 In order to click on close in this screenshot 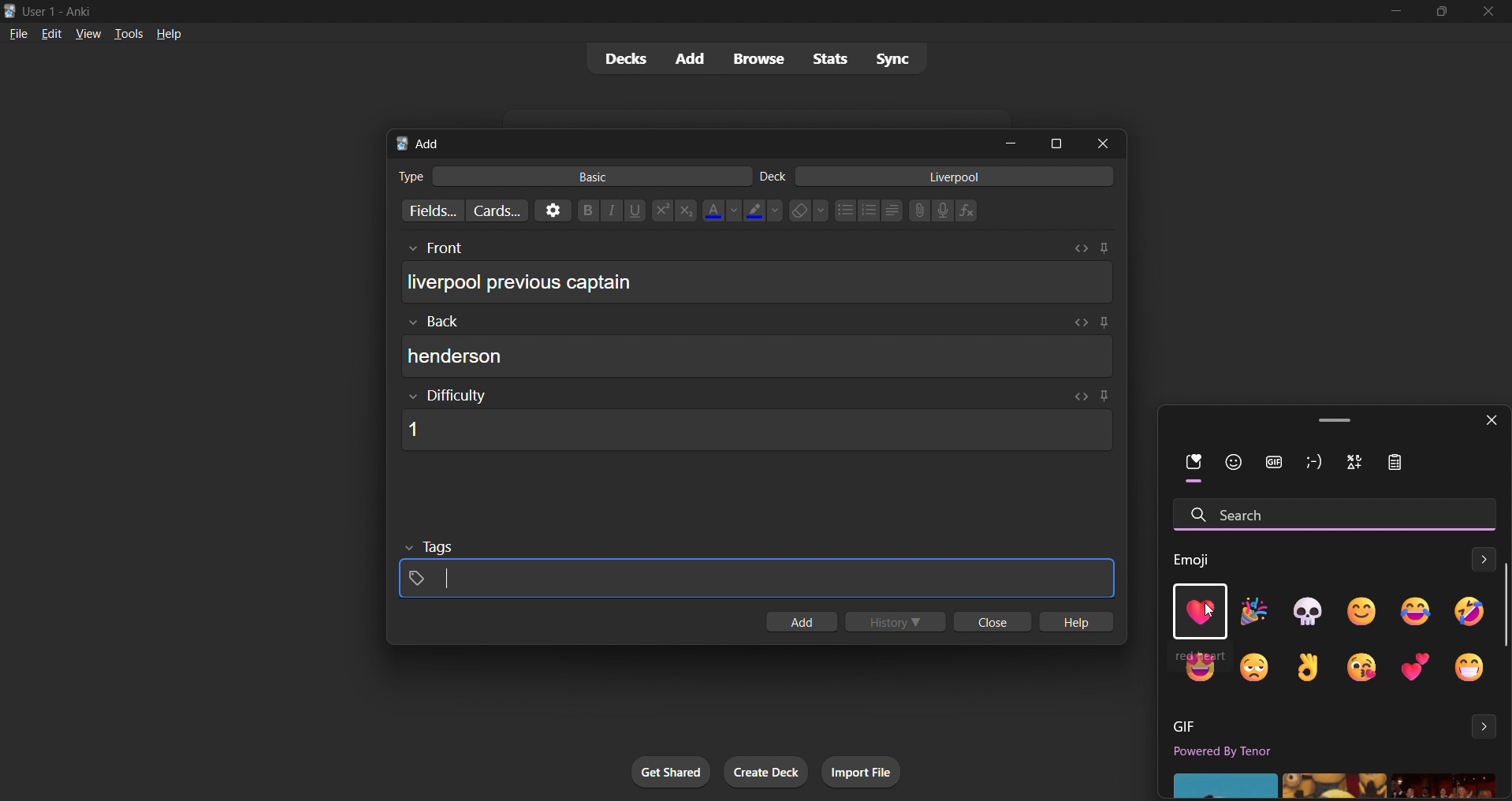, I will do `click(1489, 12)`.